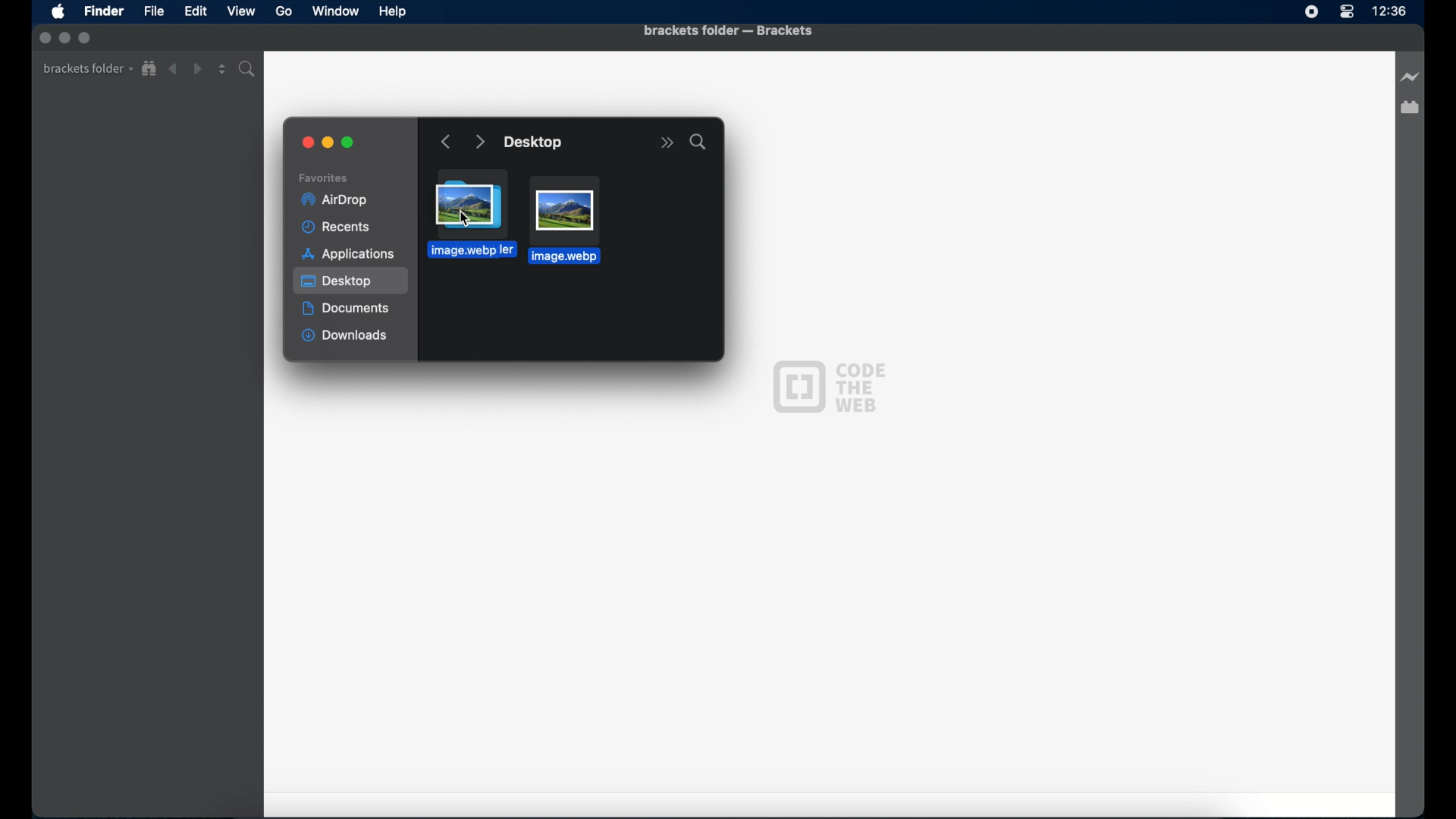  Describe the element at coordinates (348, 254) in the screenshot. I see `applications` at that location.